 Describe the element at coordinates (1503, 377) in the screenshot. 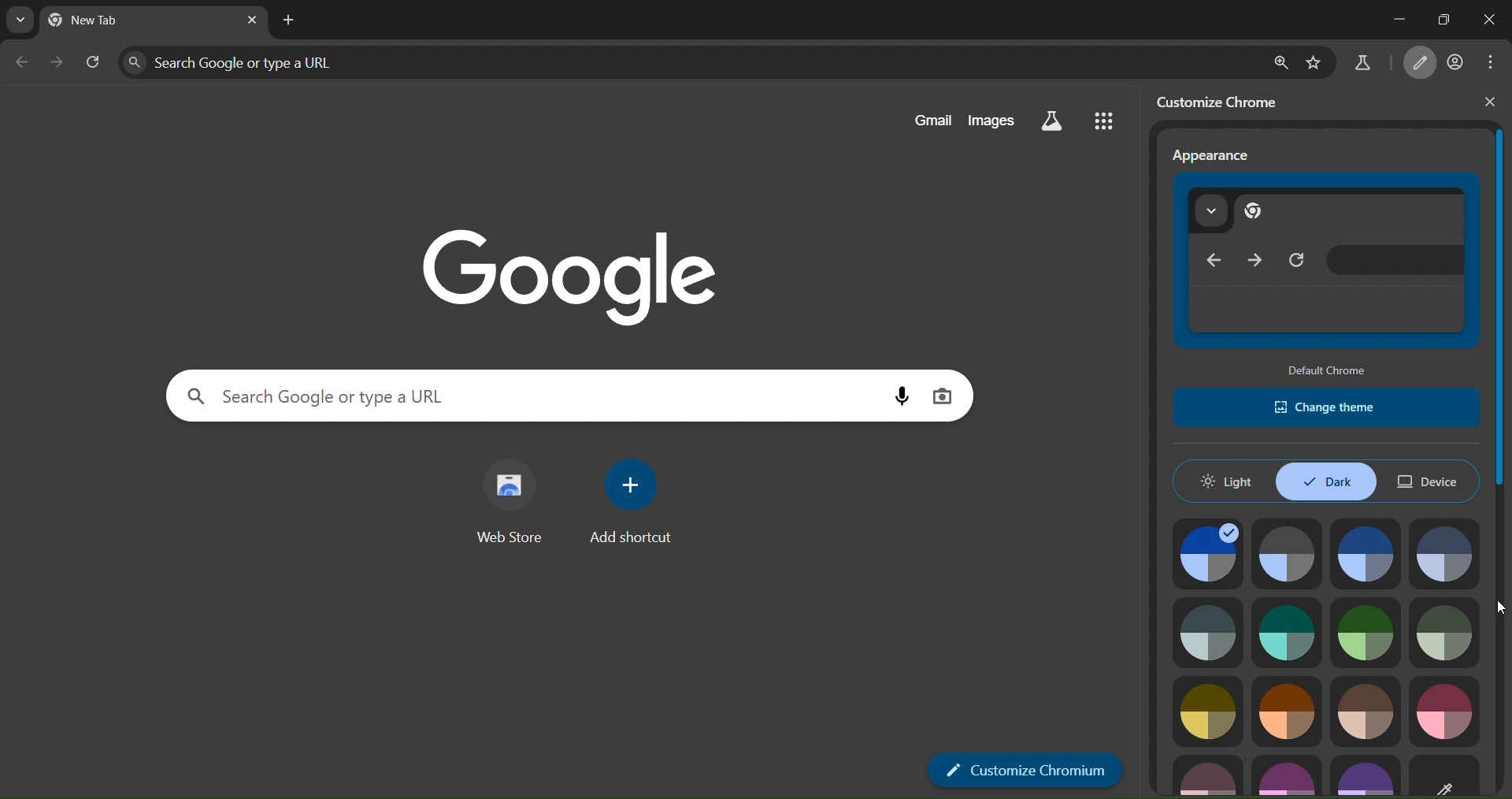

I see `slider` at that location.